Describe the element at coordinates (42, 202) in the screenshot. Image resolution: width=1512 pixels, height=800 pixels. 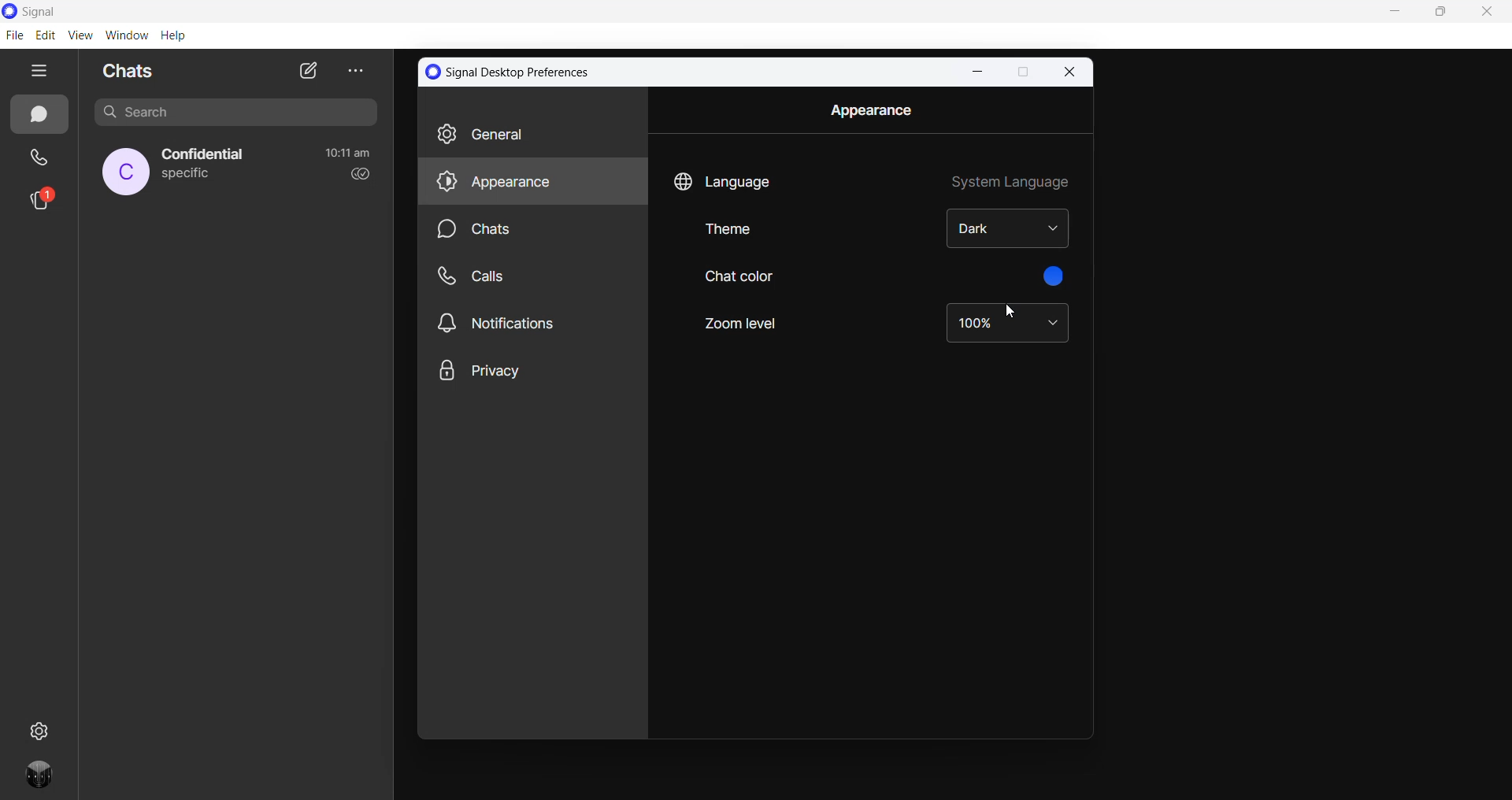
I see `stories` at that location.